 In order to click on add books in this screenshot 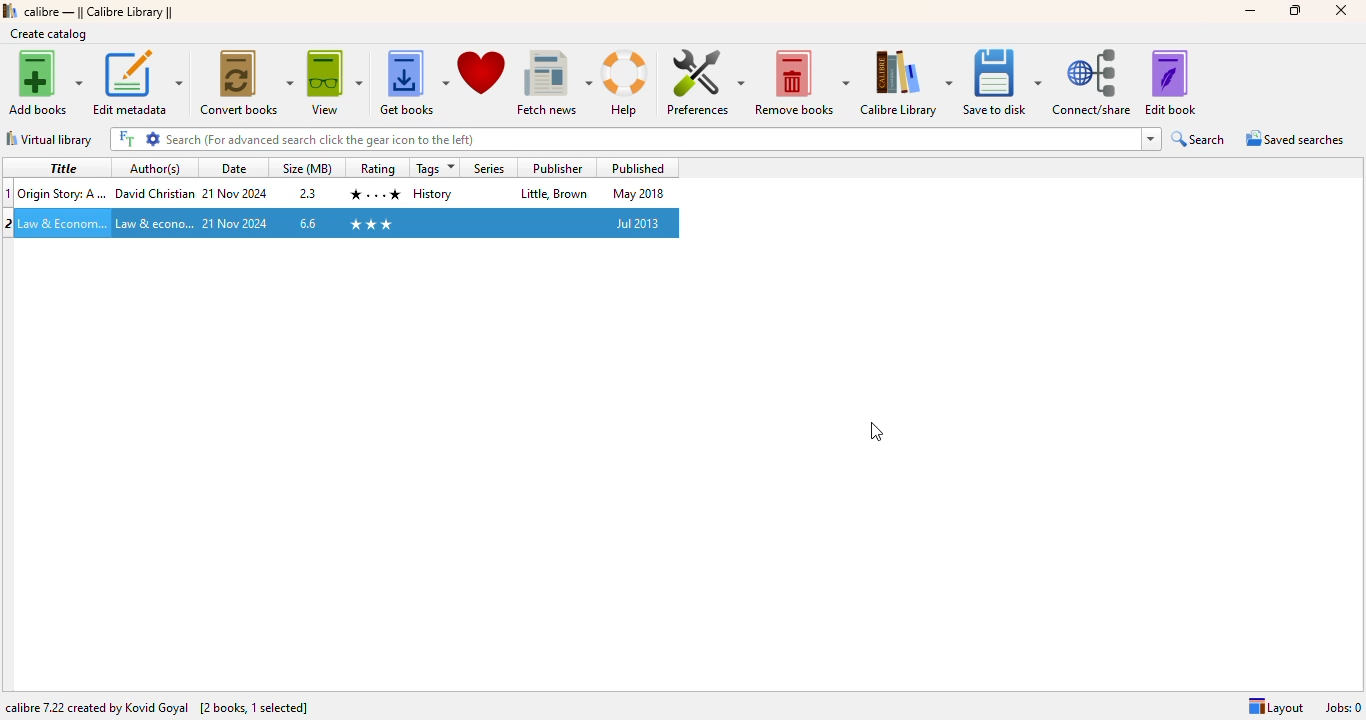, I will do `click(46, 82)`.